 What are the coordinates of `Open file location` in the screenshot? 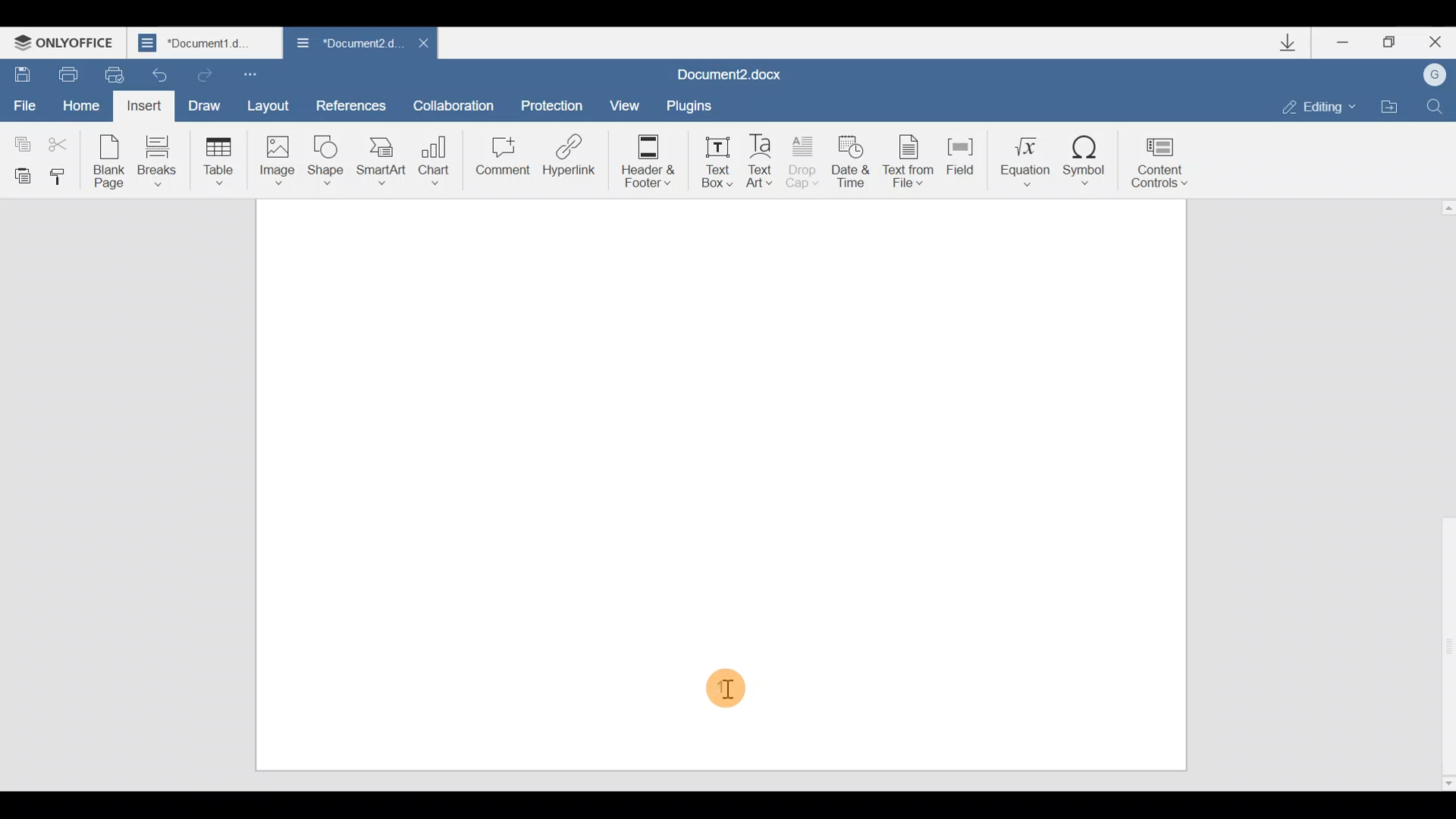 It's located at (1392, 105).